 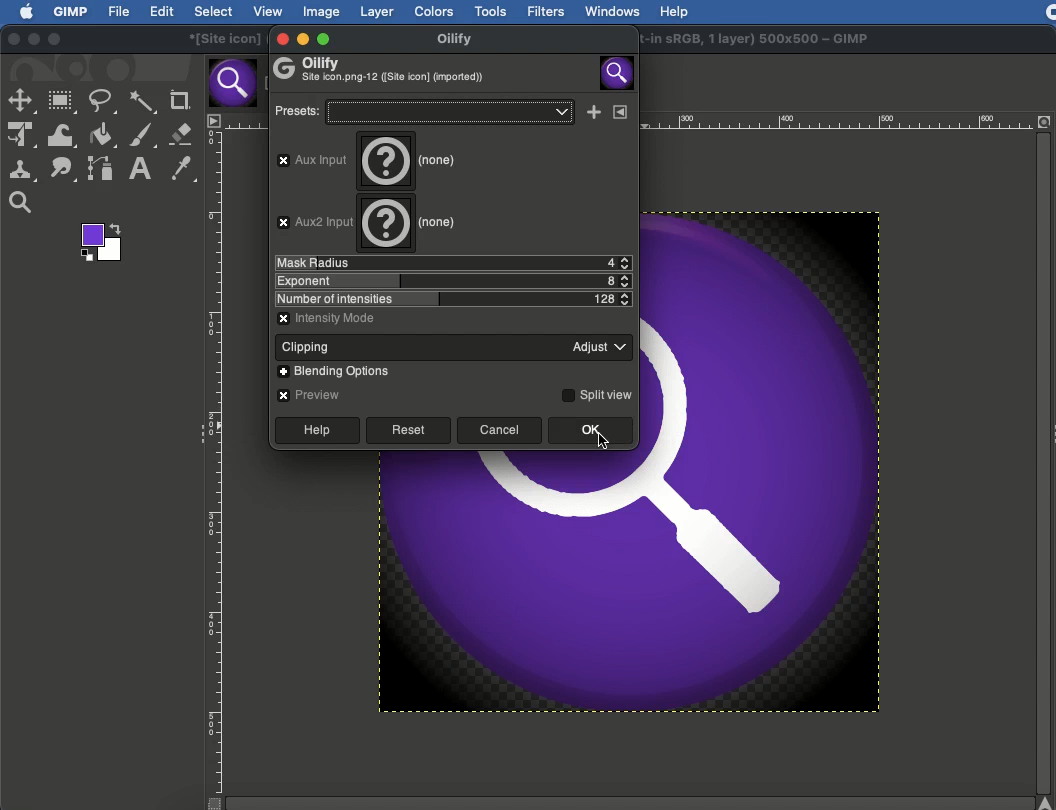 I want to click on Unified transformation, so click(x=21, y=136).